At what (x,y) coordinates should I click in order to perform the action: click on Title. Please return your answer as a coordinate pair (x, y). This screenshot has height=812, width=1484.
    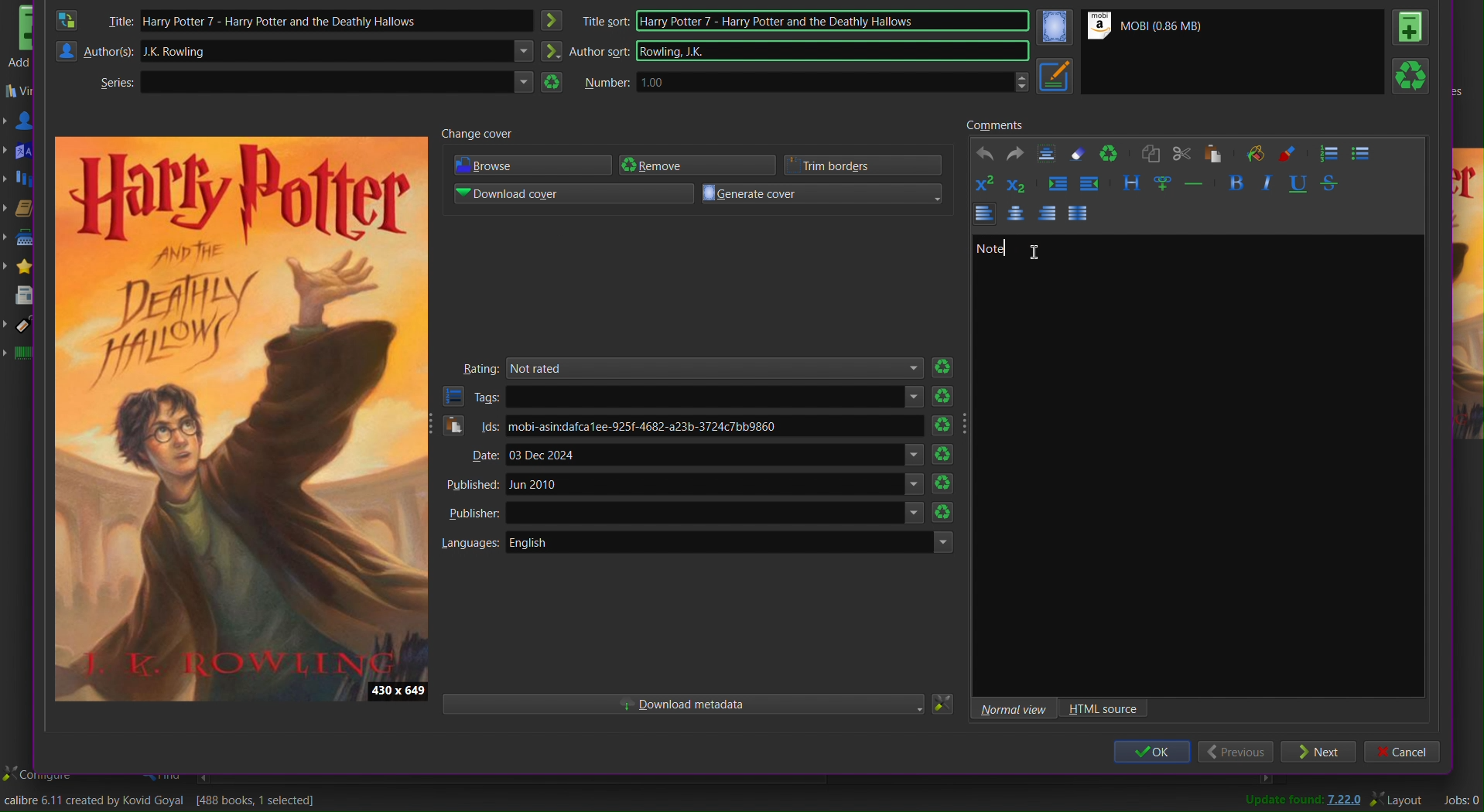
    Looking at the image, I should click on (123, 21).